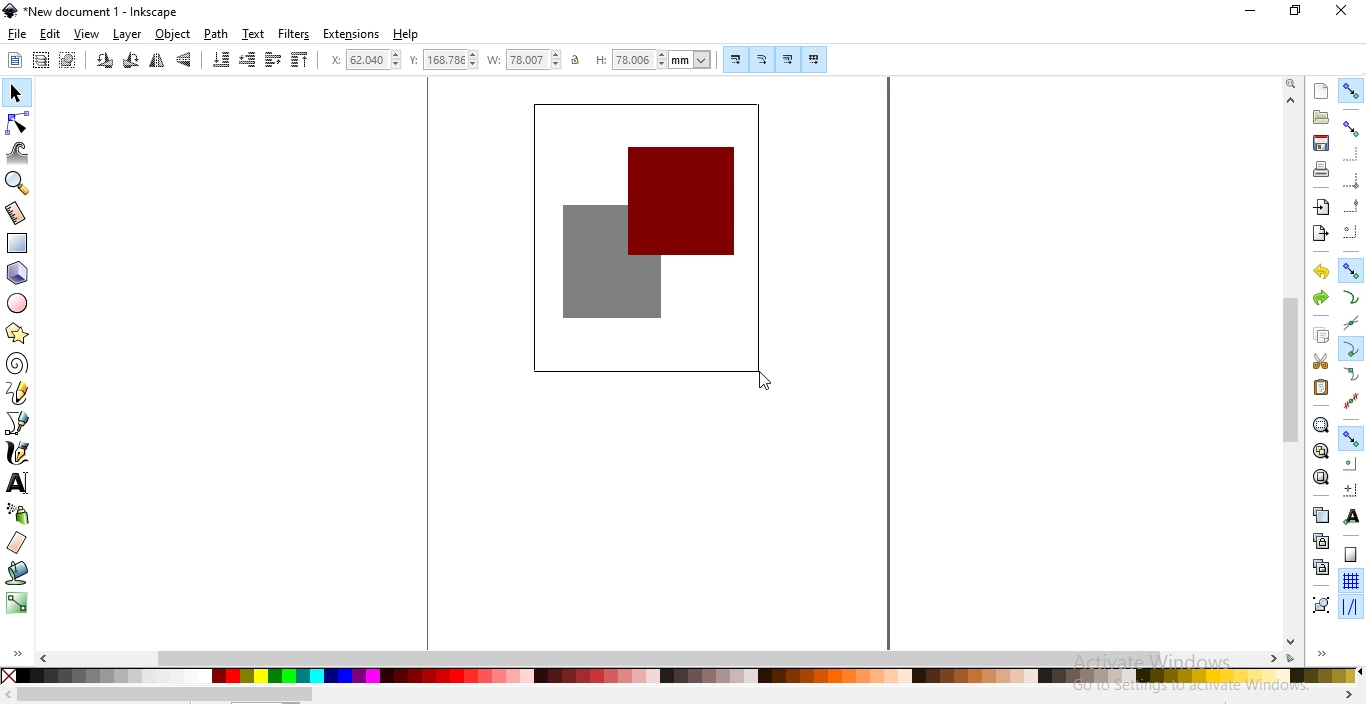  I want to click on text, so click(253, 33).